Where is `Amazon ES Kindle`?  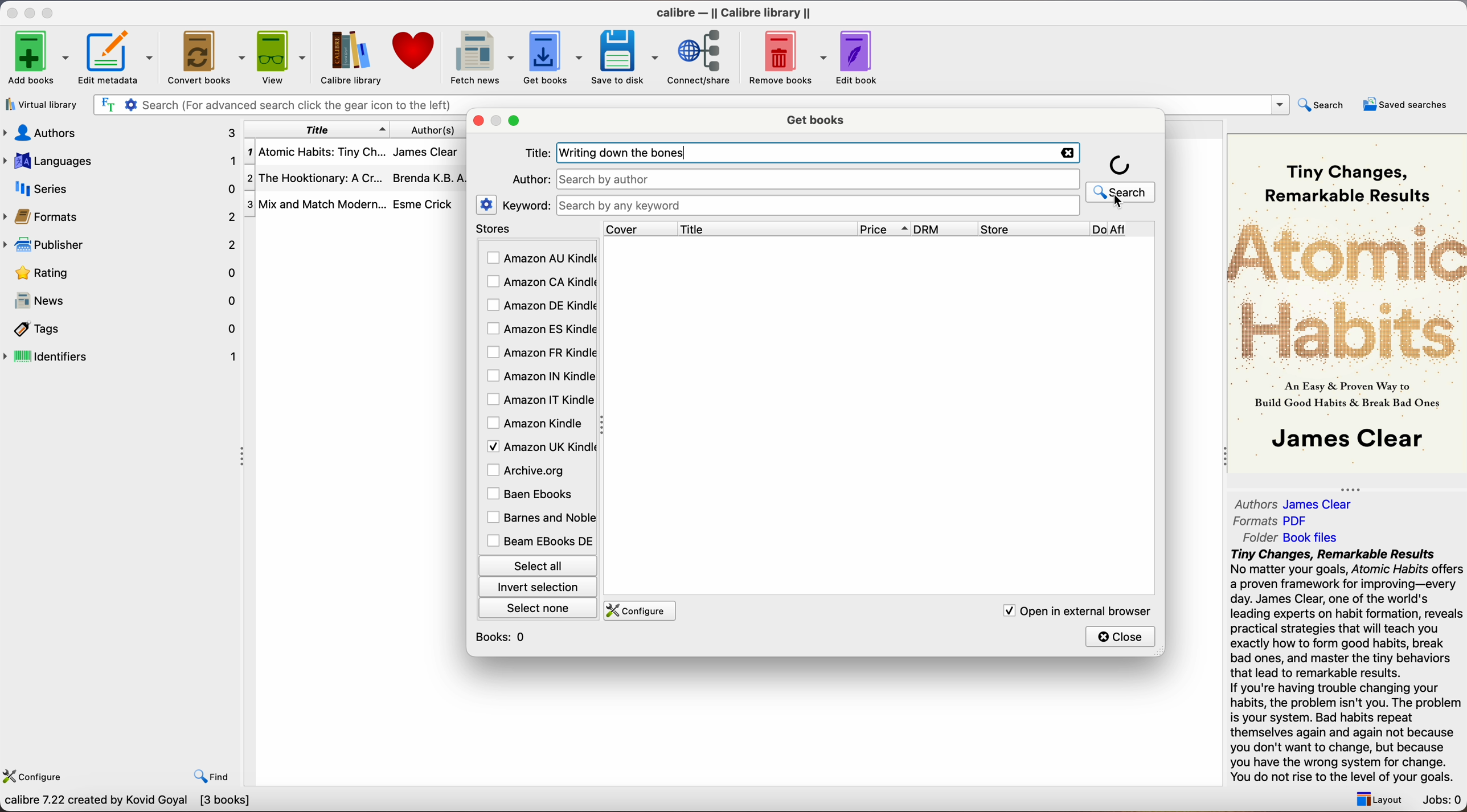 Amazon ES Kindle is located at coordinates (540, 329).